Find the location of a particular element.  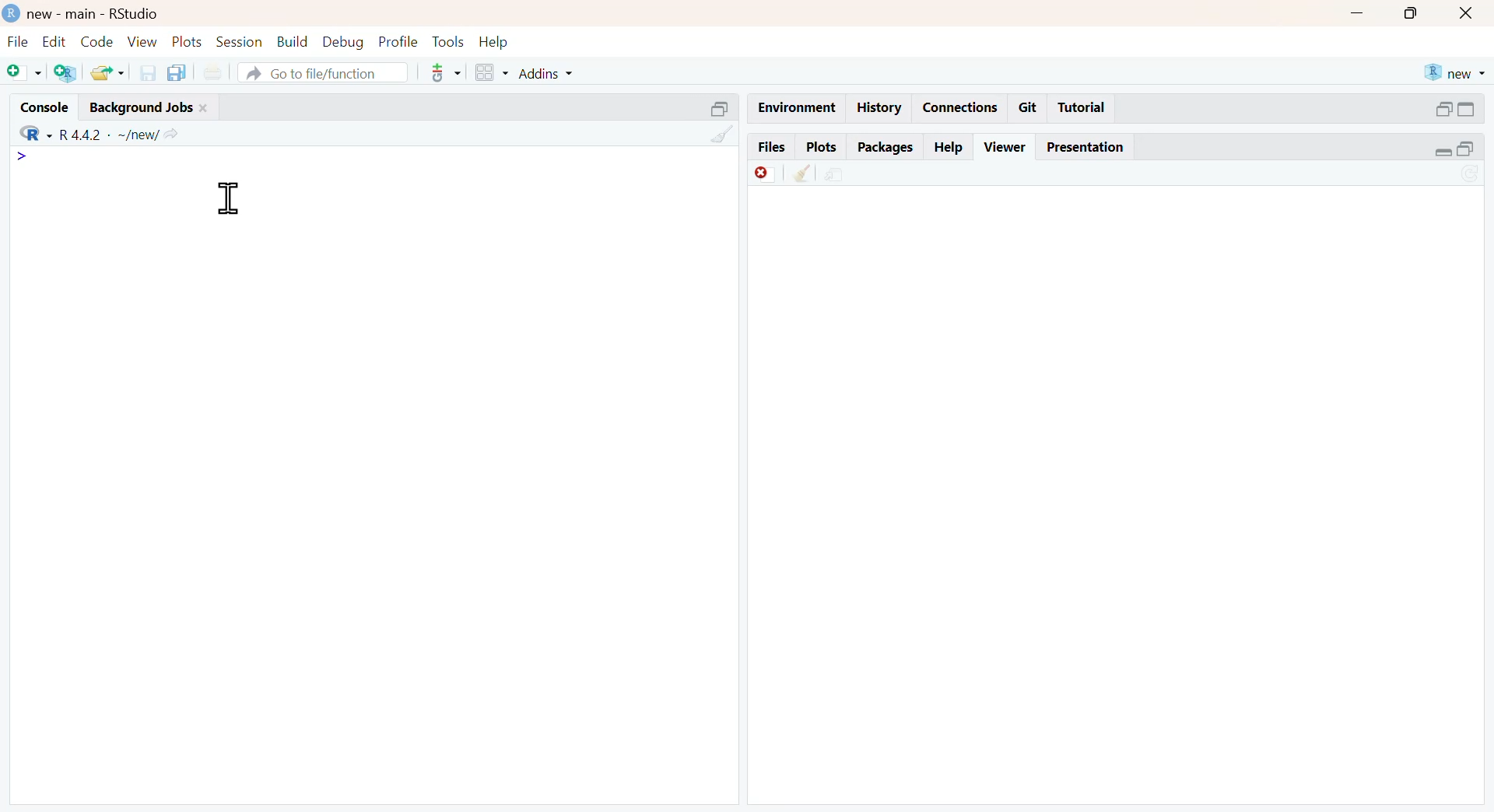

history is located at coordinates (881, 108).